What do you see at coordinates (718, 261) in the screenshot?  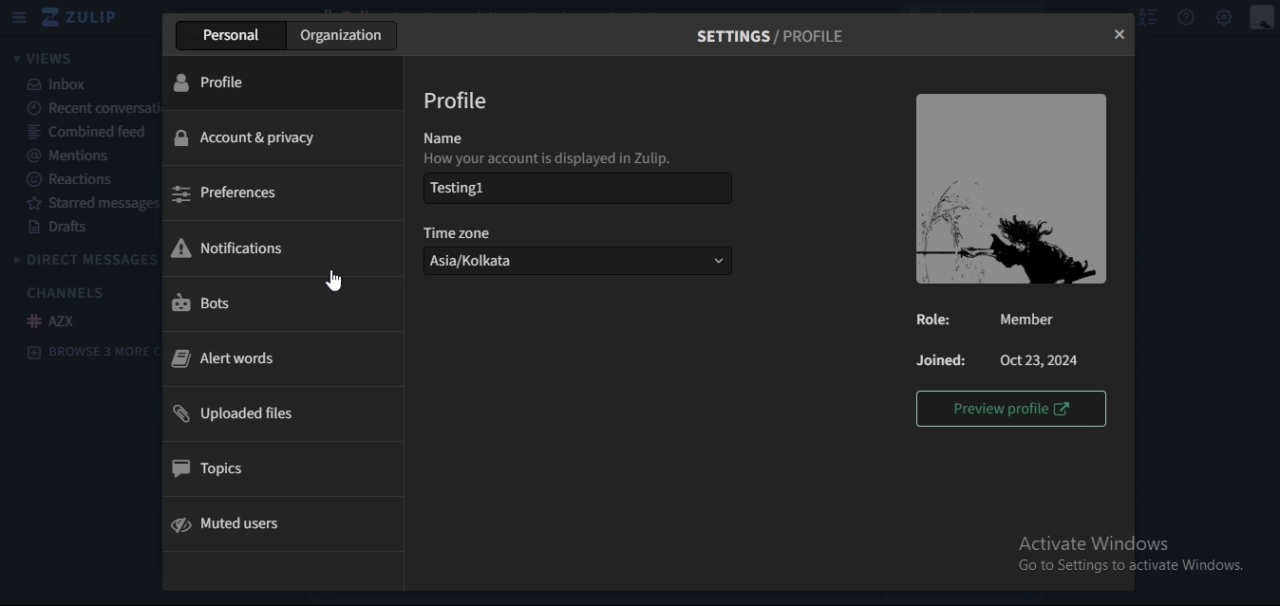 I see `dropdown` at bounding box center [718, 261].